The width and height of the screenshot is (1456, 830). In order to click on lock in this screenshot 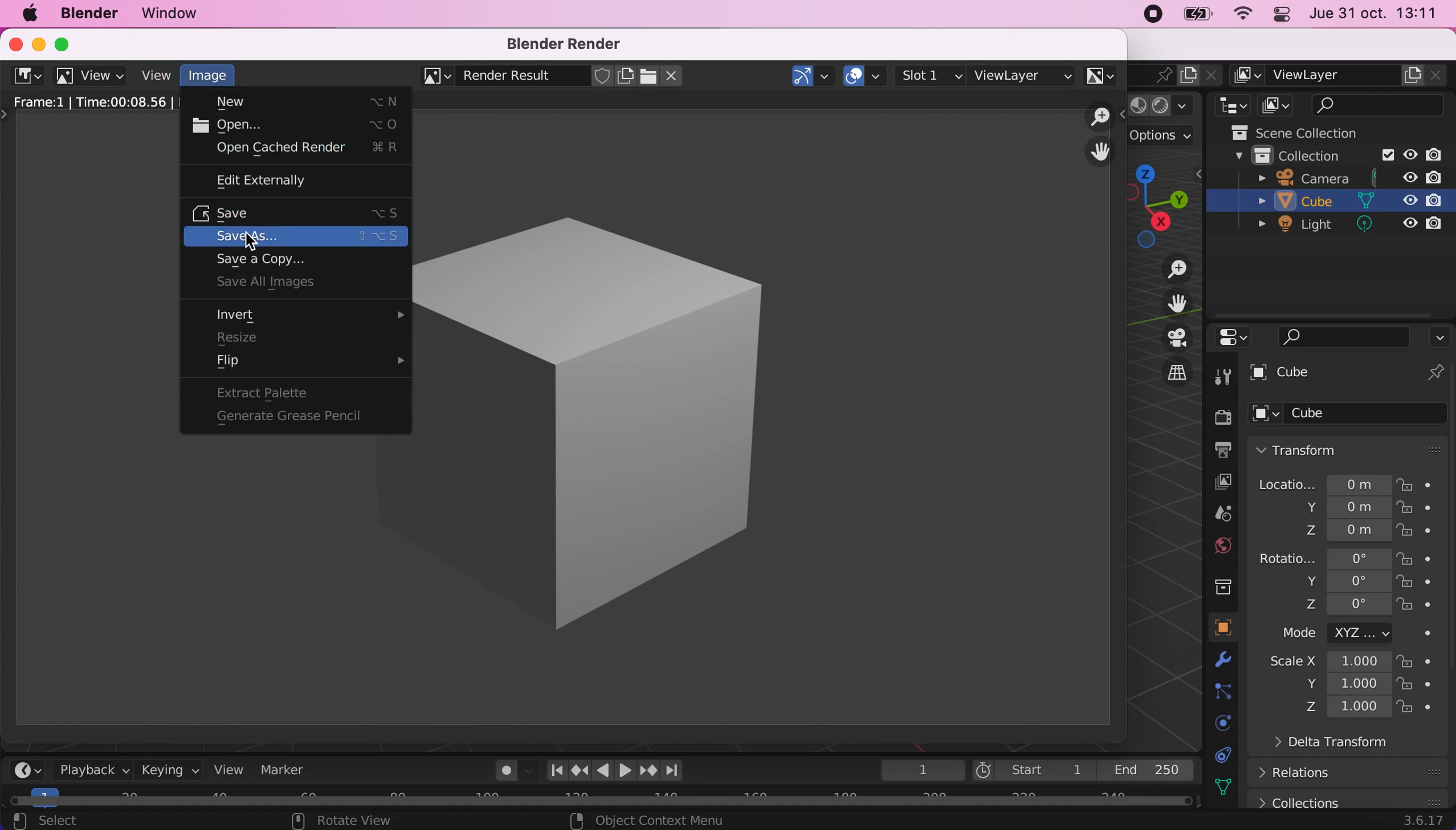, I will do `click(1417, 663)`.